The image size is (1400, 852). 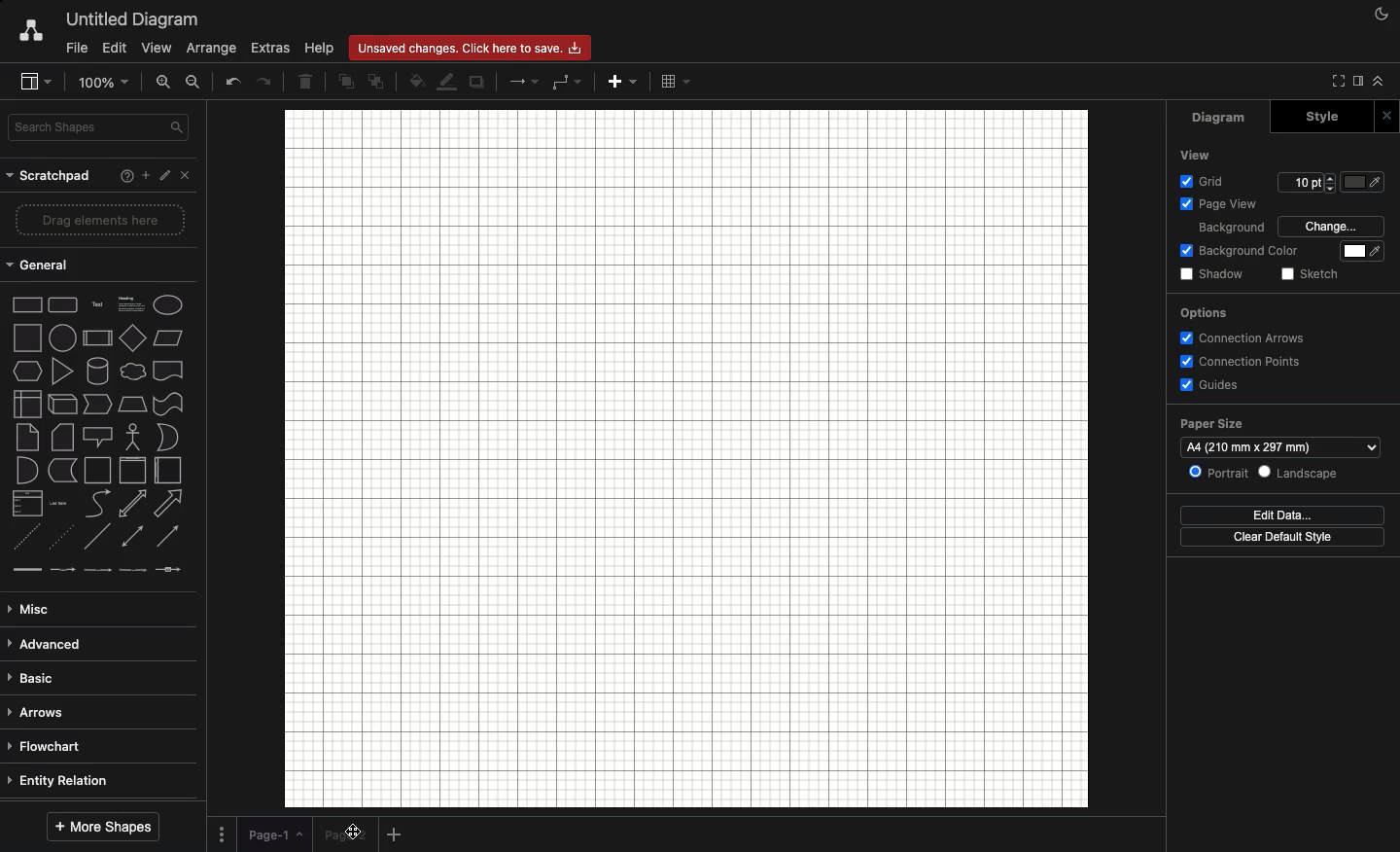 What do you see at coordinates (1217, 472) in the screenshot?
I see `Portrait` at bounding box center [1217, 472].